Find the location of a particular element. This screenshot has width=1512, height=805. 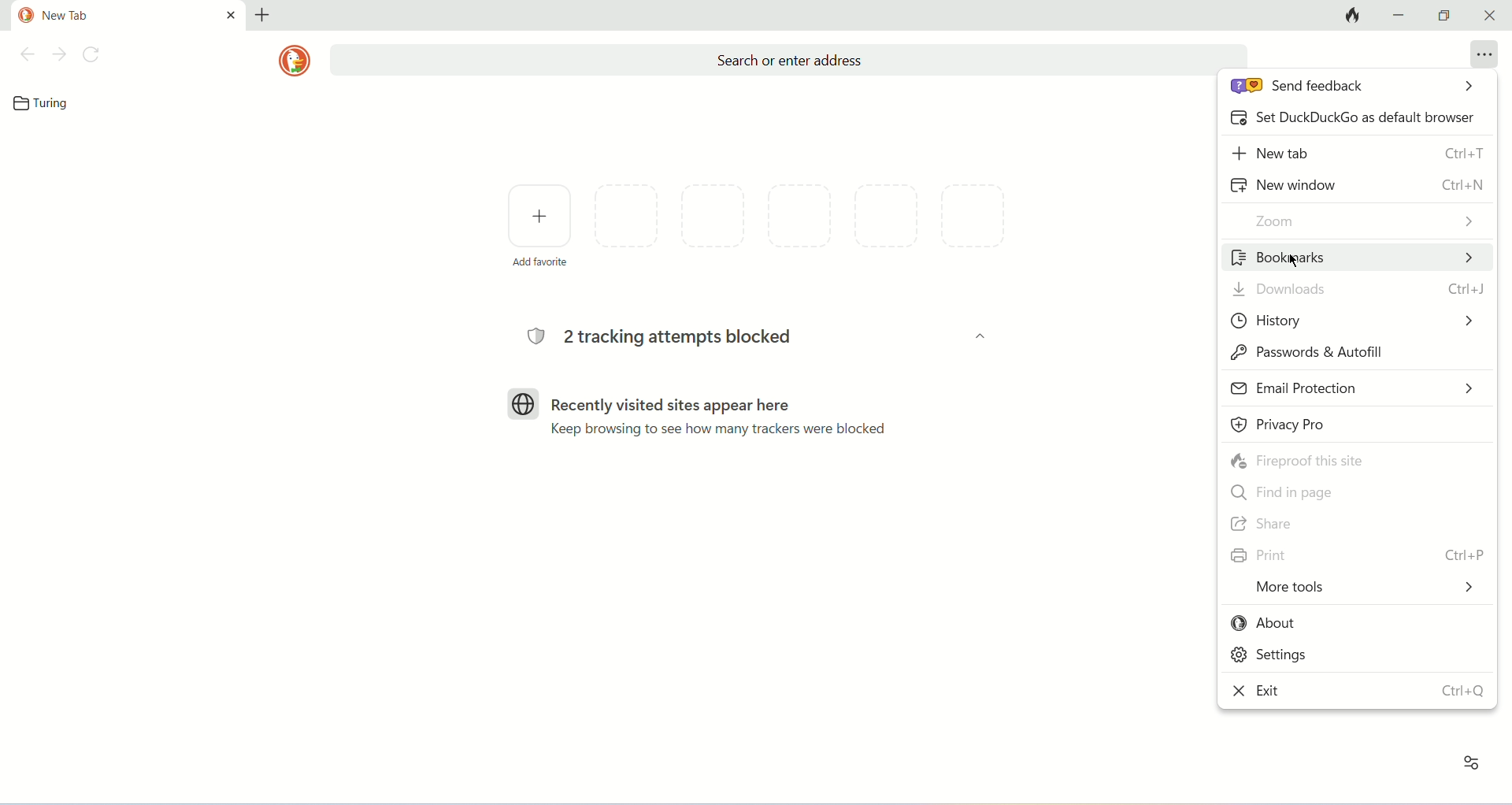

send feedback is located at coordinates (1357, 89).